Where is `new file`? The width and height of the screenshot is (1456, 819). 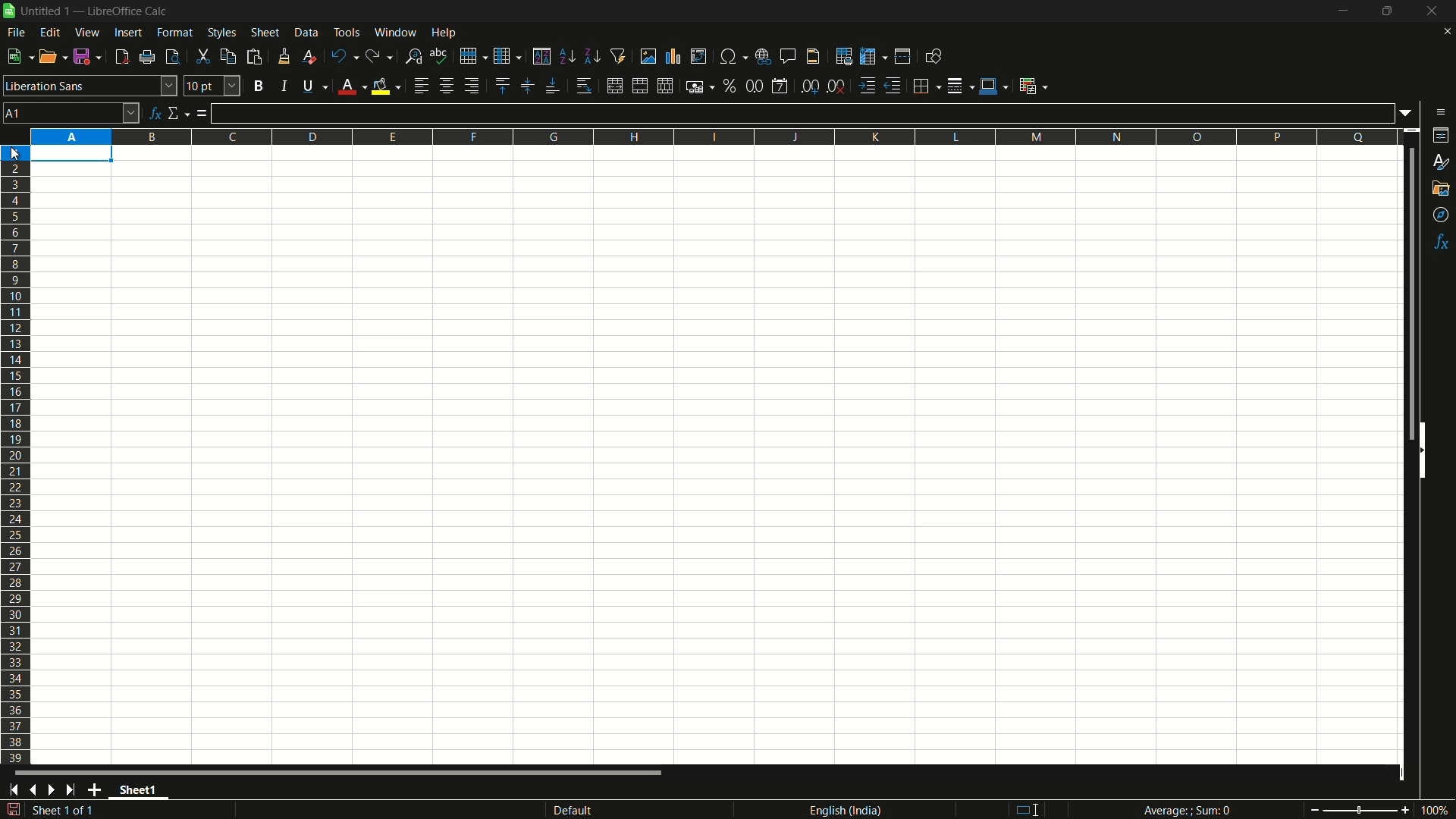
new file is located at coordinates (18, 56).